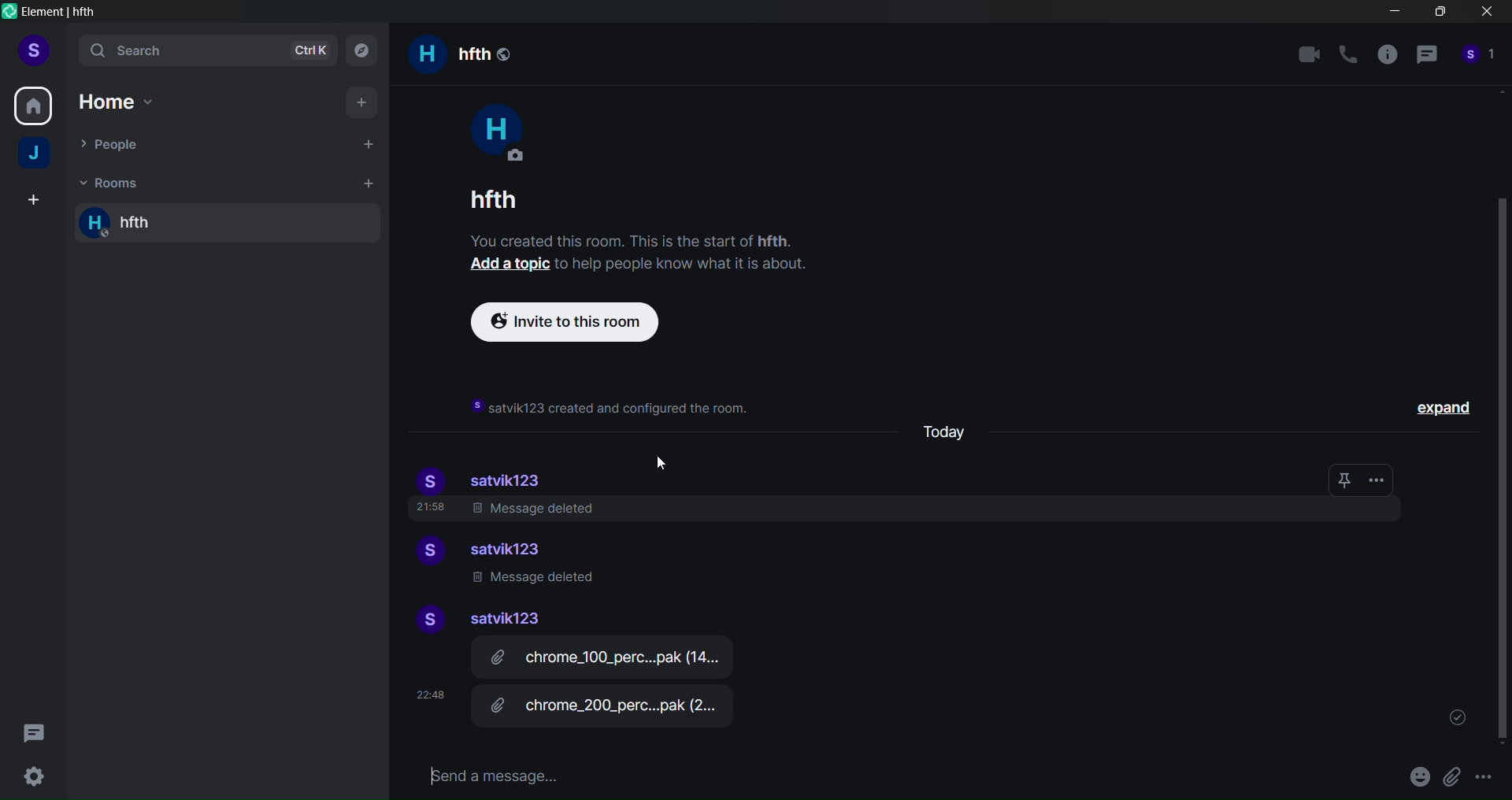 This screenshot has width=1512, height=800. I want to click on home options, so click(128, 102).